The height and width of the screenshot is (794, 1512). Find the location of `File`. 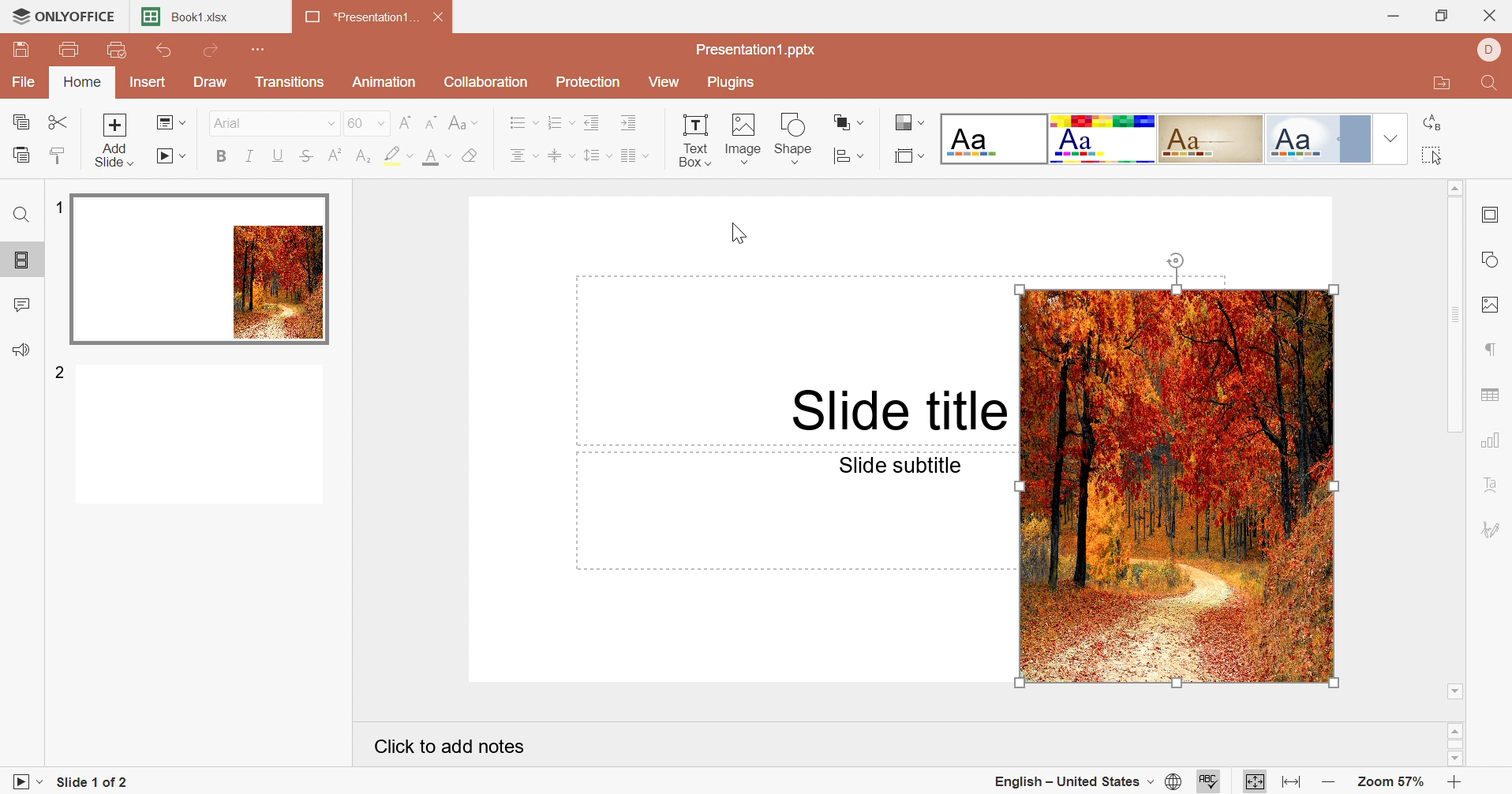

File is located at coordinates (24, 82).